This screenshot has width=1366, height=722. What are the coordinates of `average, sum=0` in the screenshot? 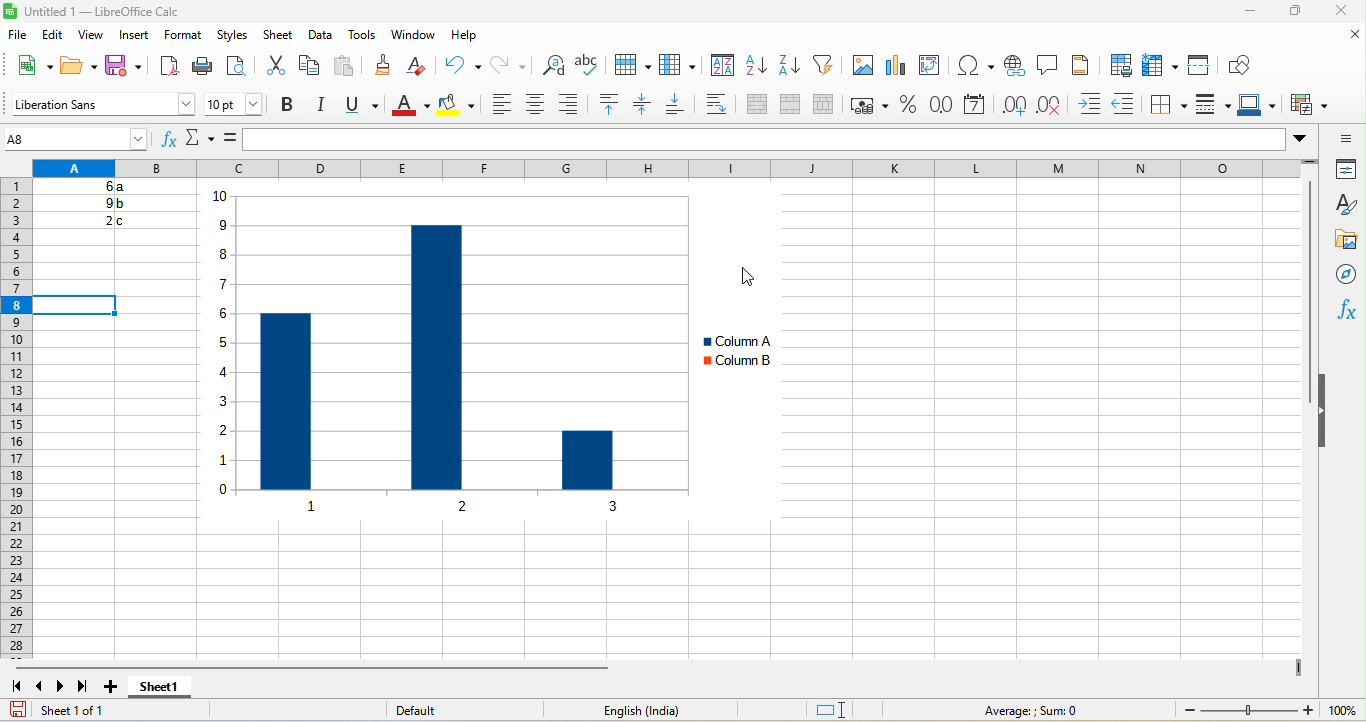 It's located at (1025, 711).